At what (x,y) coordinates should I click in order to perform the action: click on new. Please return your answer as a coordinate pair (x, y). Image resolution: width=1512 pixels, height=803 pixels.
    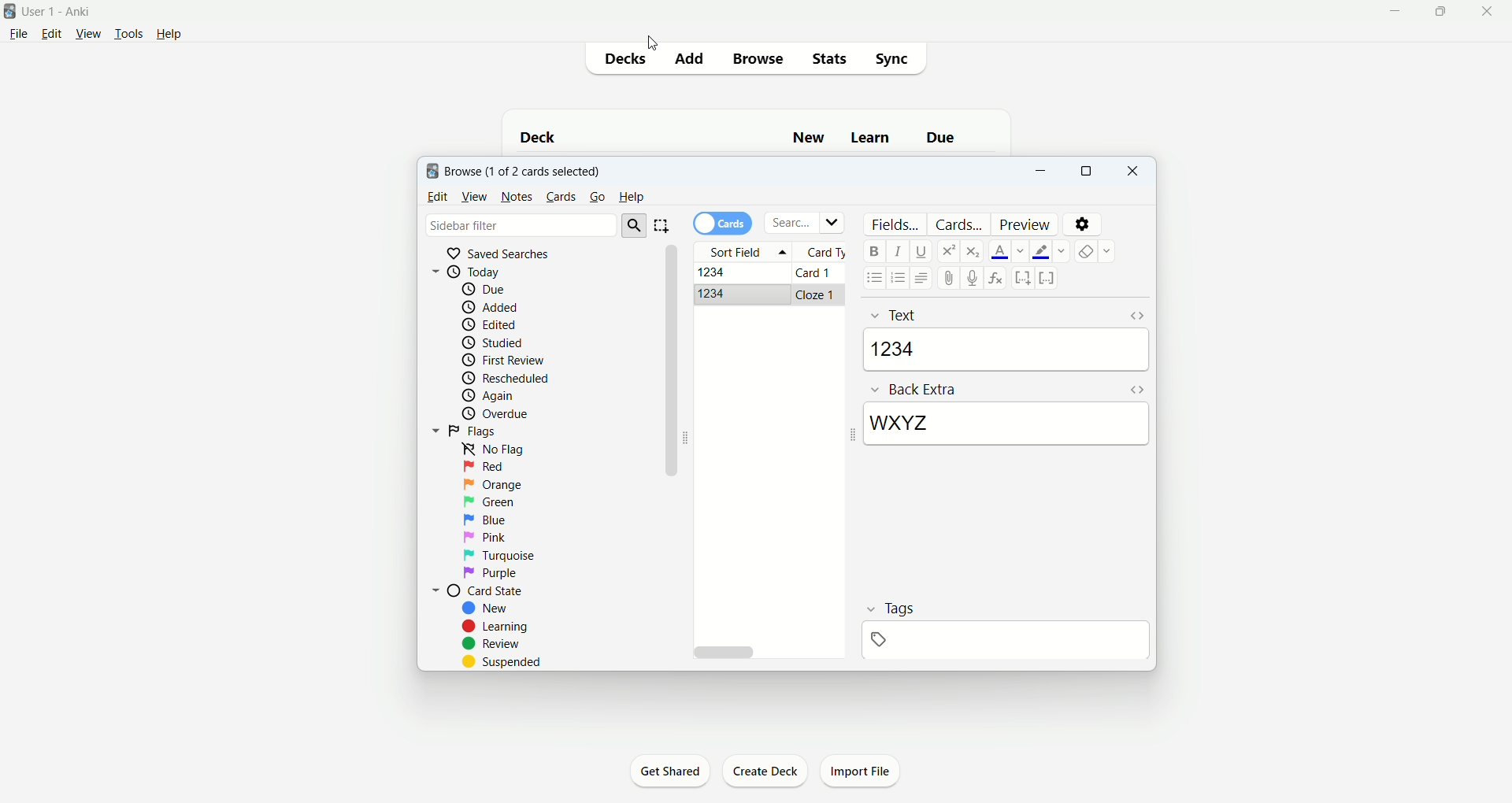
    Looking at the image, I should click on (489, 608).